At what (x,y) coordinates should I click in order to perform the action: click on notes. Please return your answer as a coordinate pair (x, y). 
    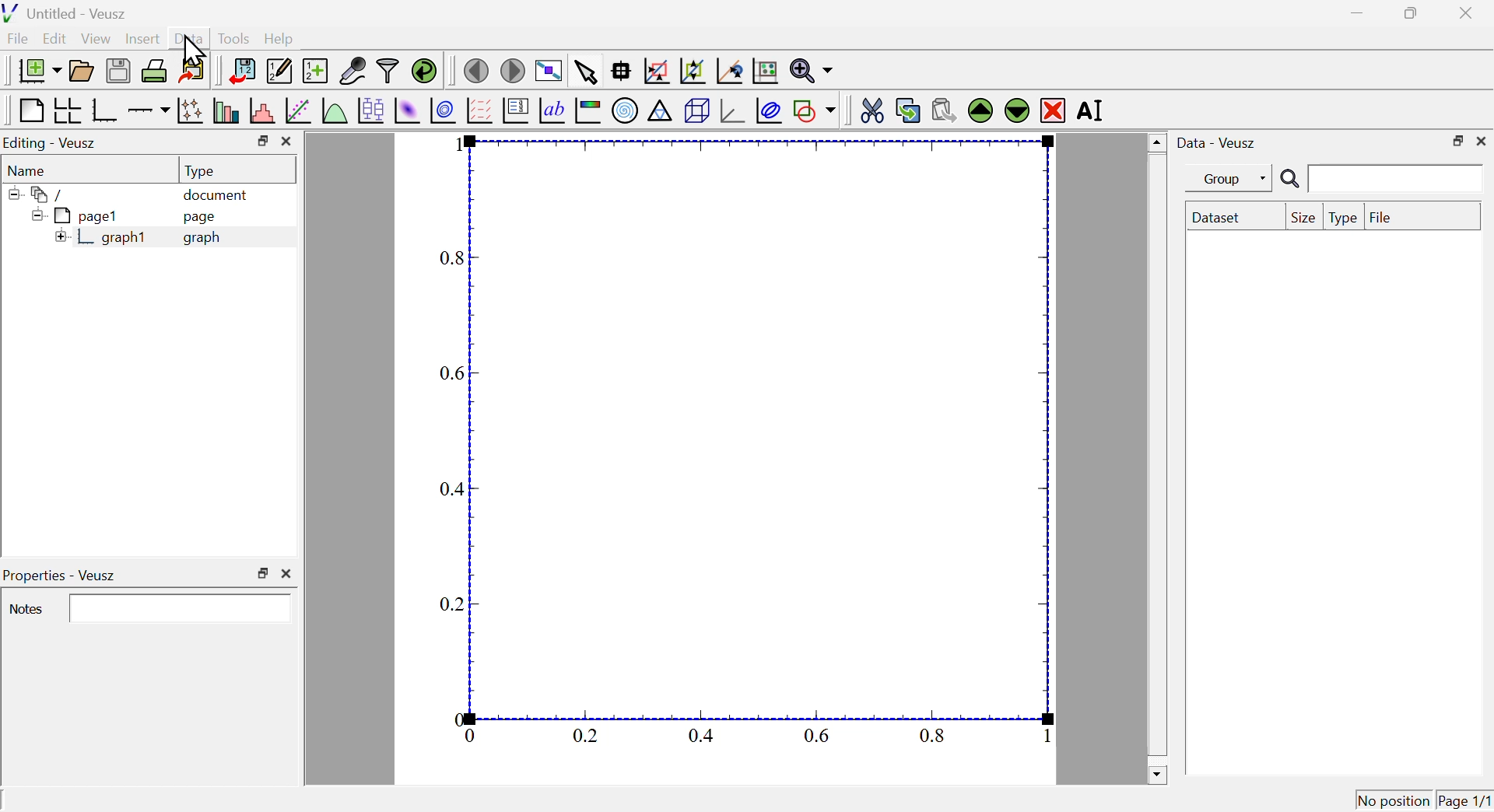
    Looking at the image, I should click on (27, 610).